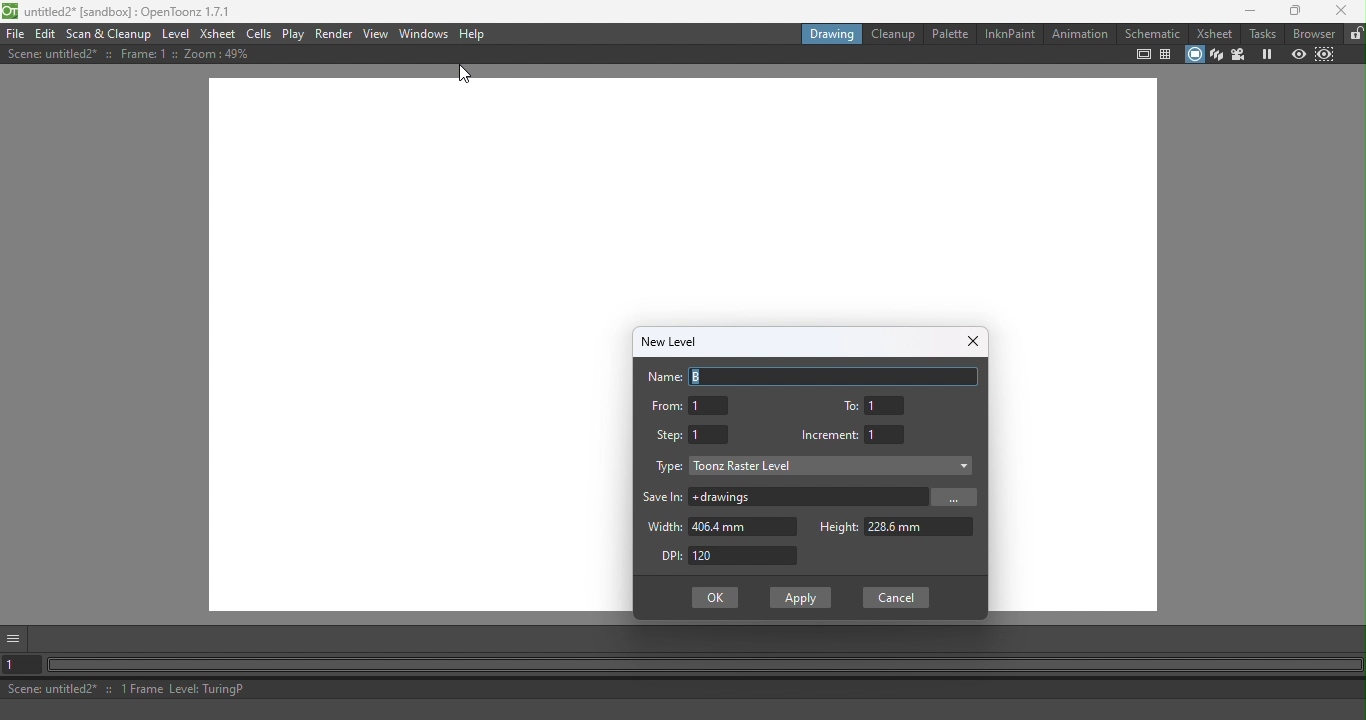 The image size is (1366, 720). What do you see at coordinates (1355, 34) in the screenshot?
I see `Lock rooms tab` at bounding box center [1355, 34].